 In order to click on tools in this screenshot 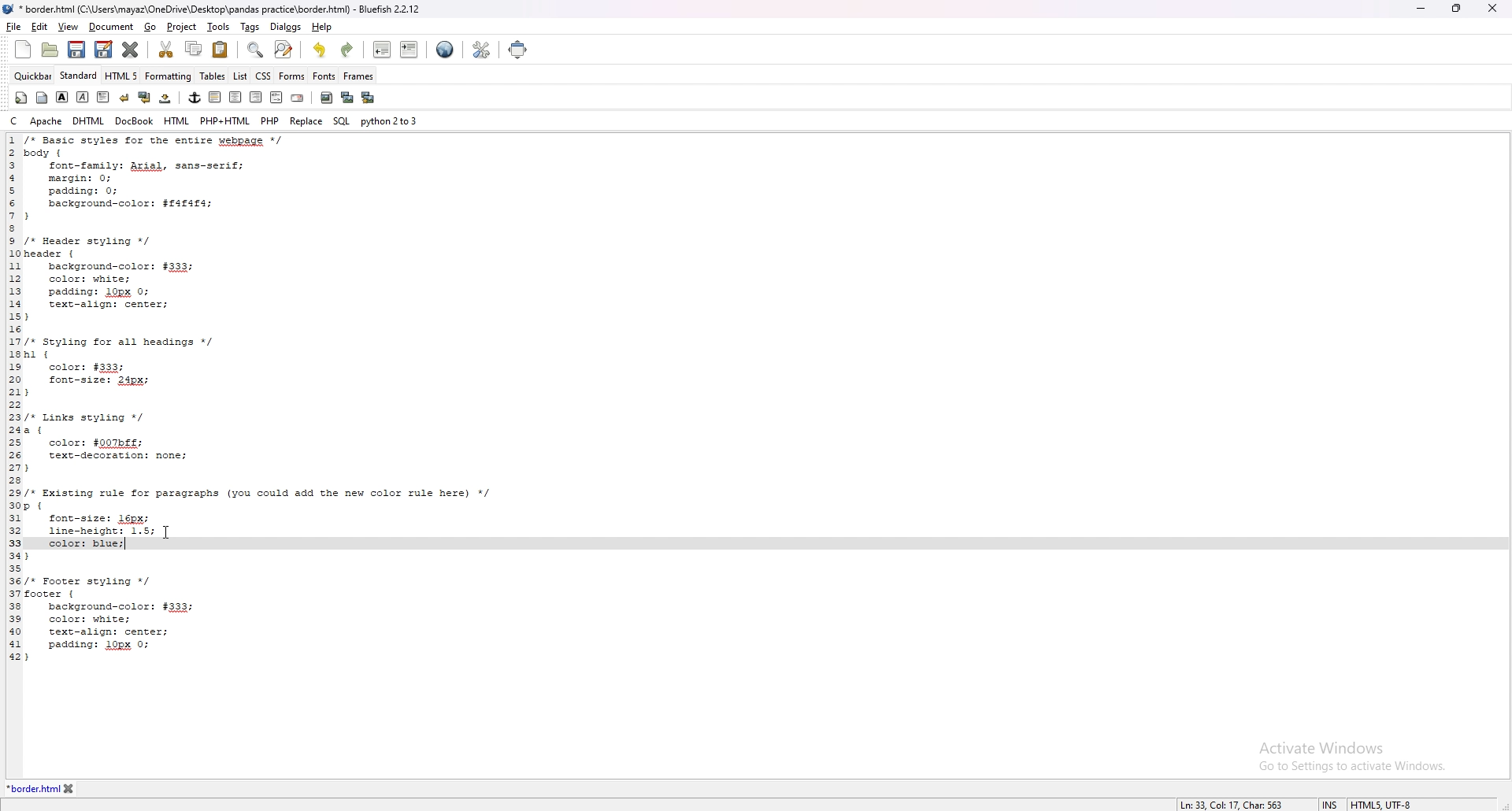, I will do `click(217, 26)`.